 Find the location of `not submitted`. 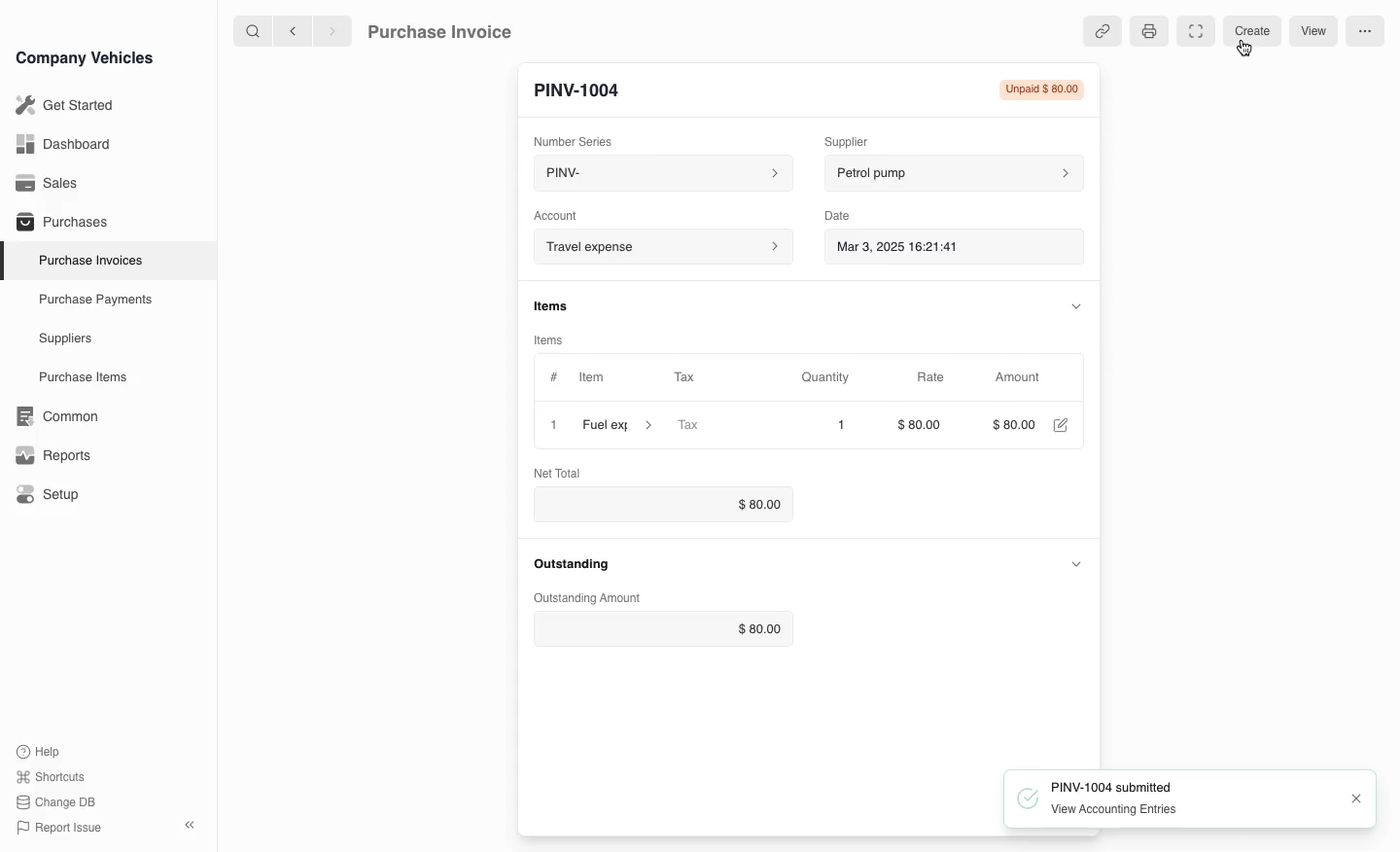

not submitted is located at coordinates (1040, 91).